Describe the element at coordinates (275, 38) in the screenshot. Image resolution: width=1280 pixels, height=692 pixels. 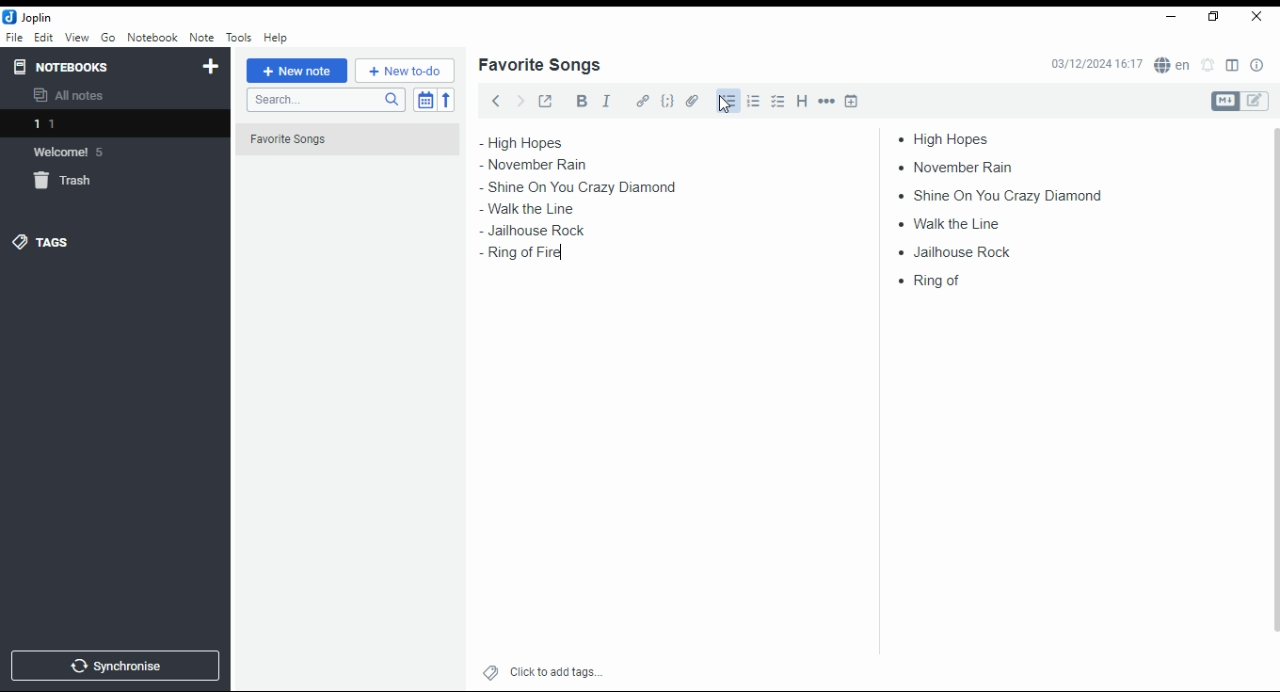
I see `help` at that location.